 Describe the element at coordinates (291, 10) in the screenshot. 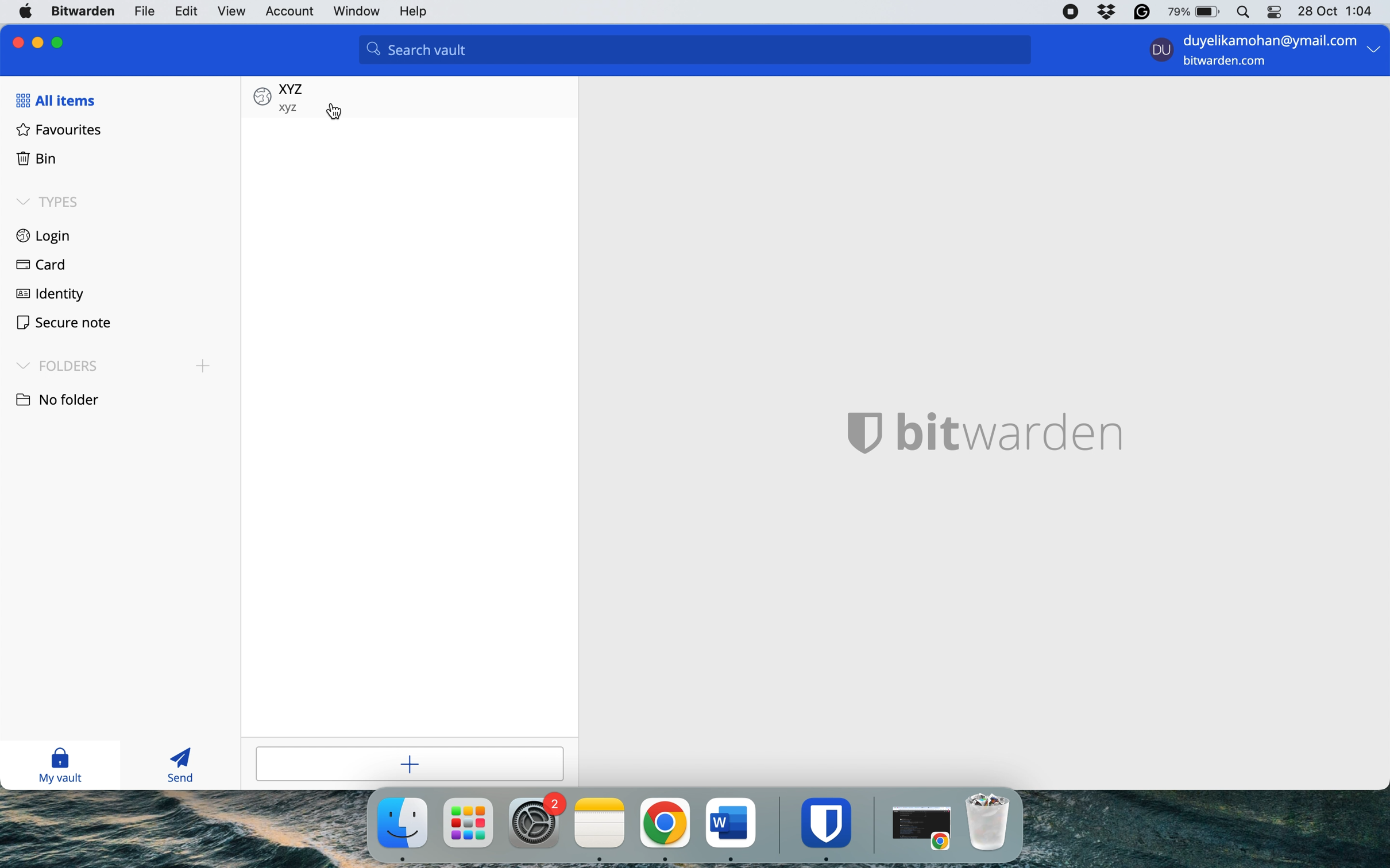

I see `account` at that location.